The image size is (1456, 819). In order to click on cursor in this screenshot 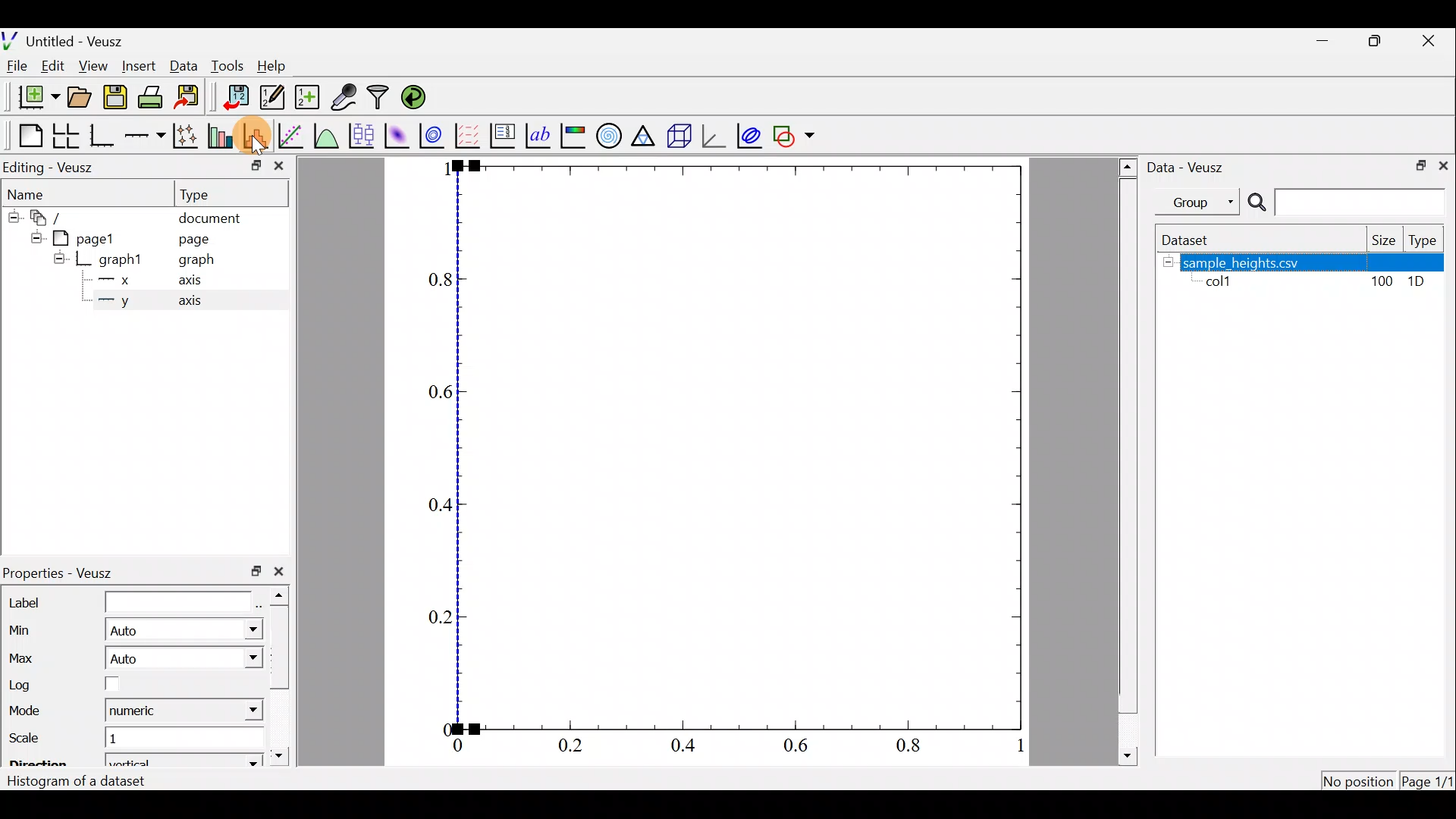, I will do `click(260, 140)`.